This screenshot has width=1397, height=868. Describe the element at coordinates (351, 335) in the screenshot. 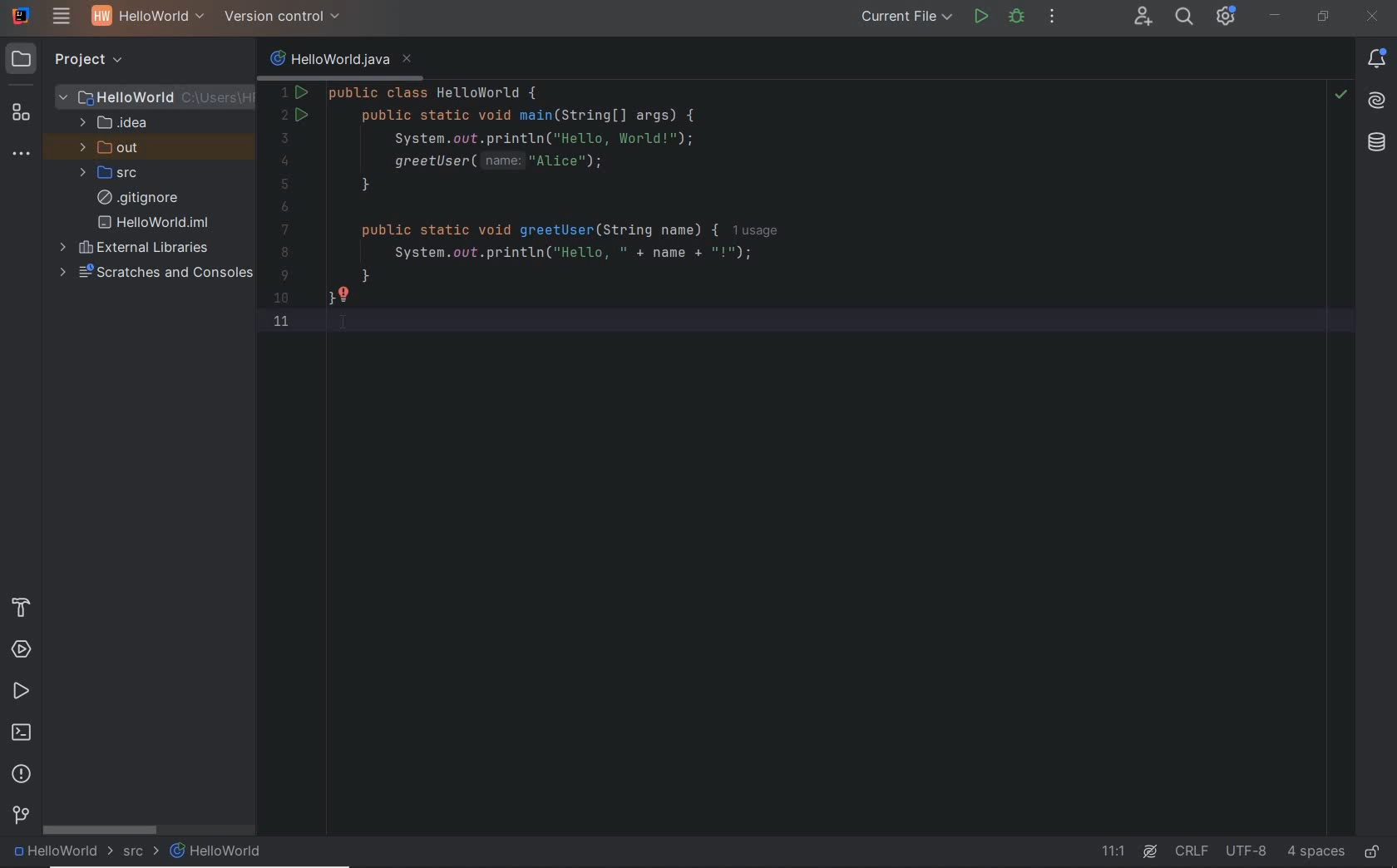

I see `I-beam cursor` at that location.